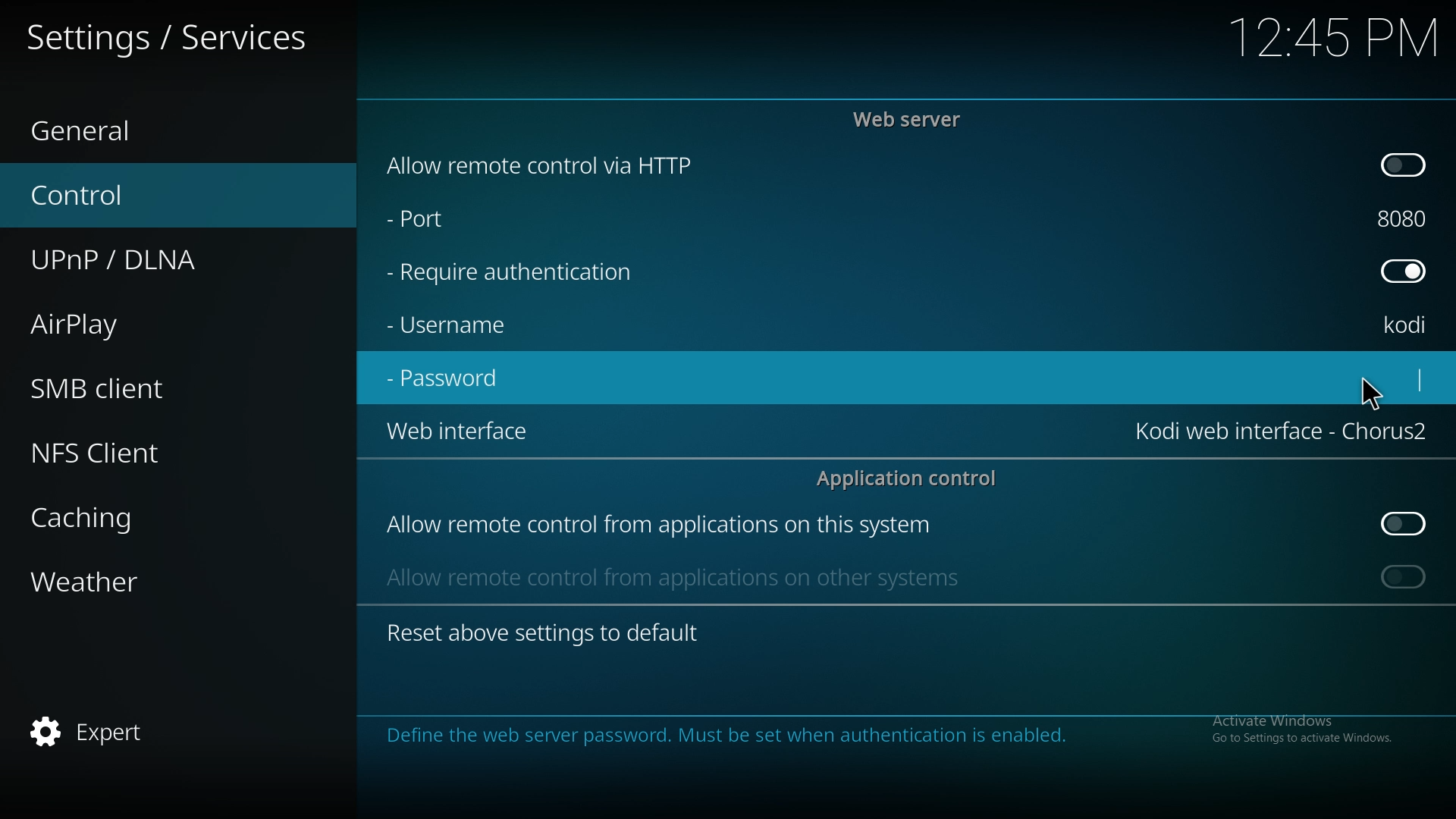 This screenshot has width=1456, height=819. What do you see at coordinates (1407, 327) in the screenshot?
I see `username` at bounding box center [1407, 327].